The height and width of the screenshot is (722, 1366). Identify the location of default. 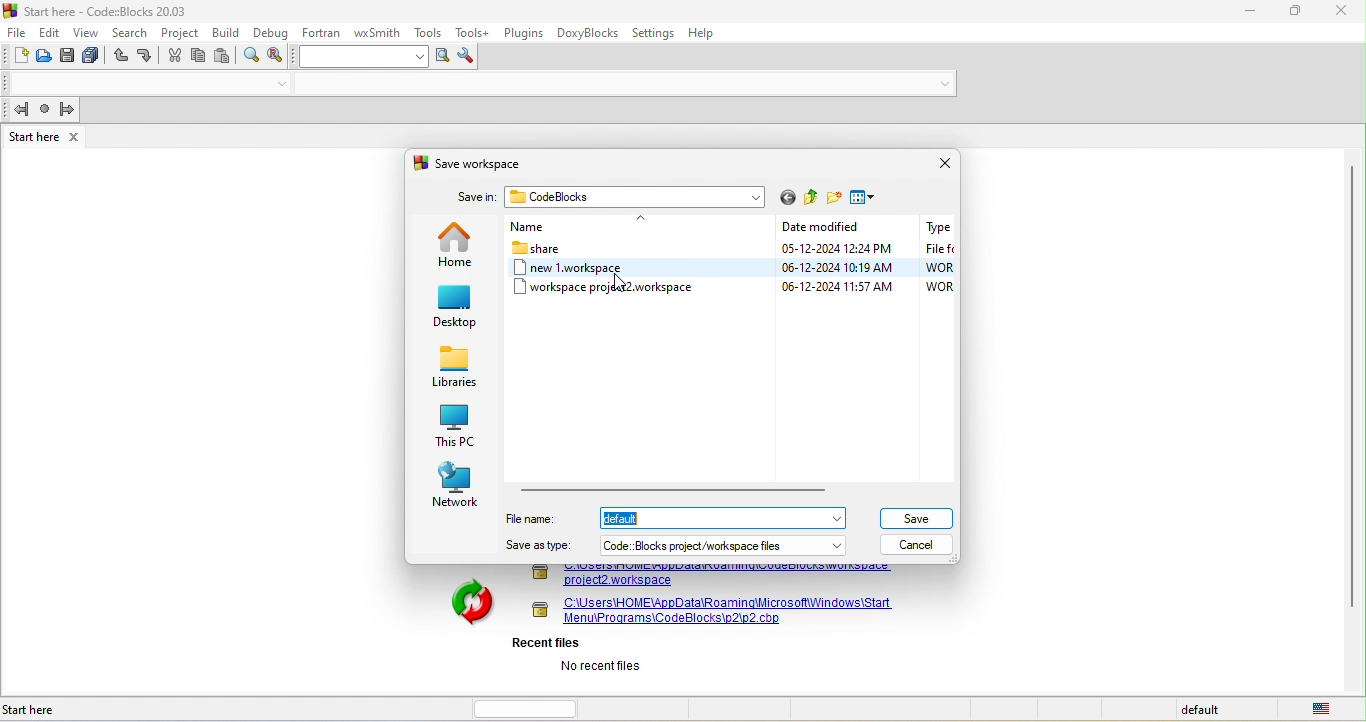
(726, 516).